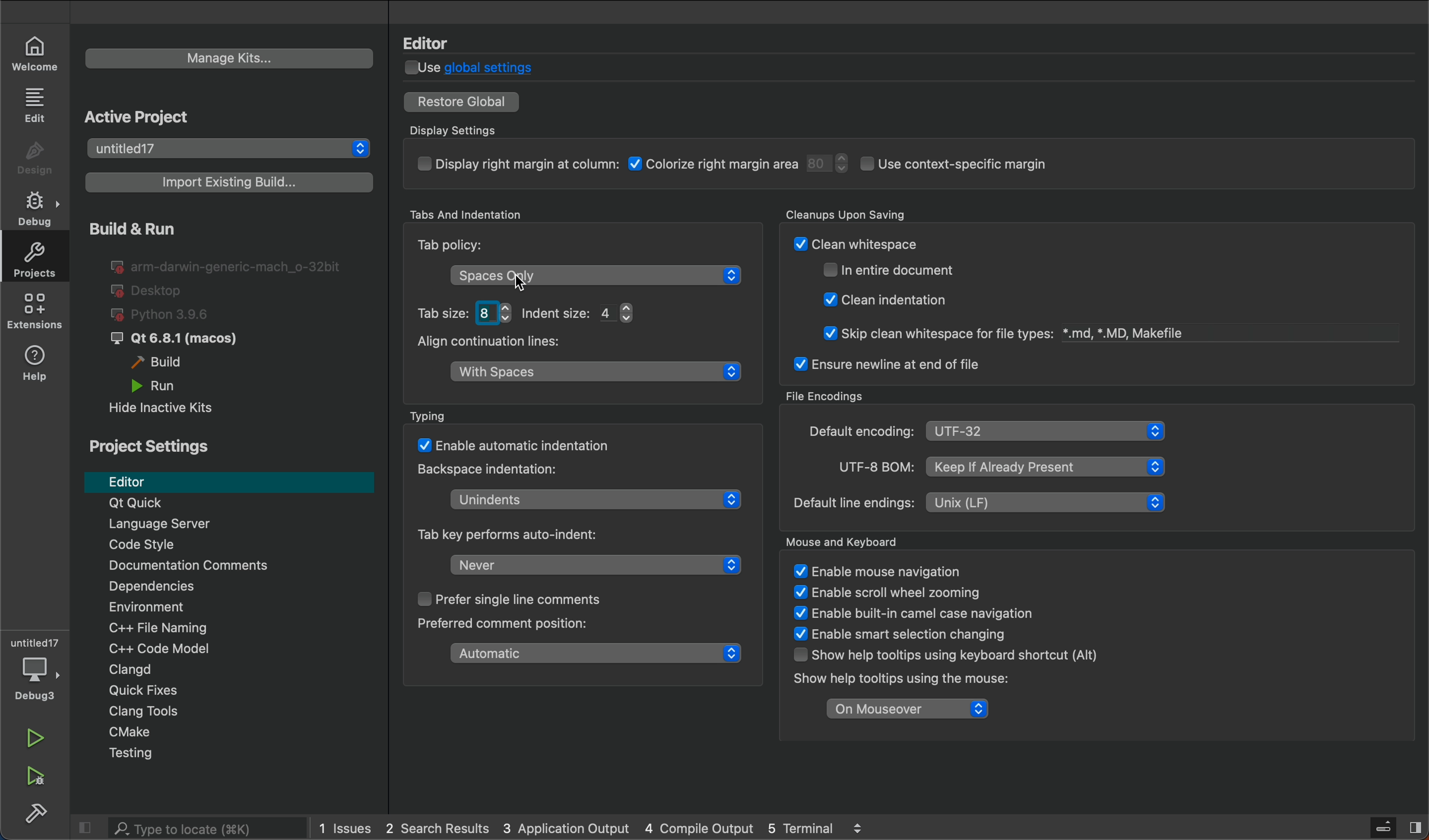 Image resolution: width=1429 pixels, height=840 pixels. Describe the element at coordinates (35, 673) in the screenshot. I see `debuger` at that location.